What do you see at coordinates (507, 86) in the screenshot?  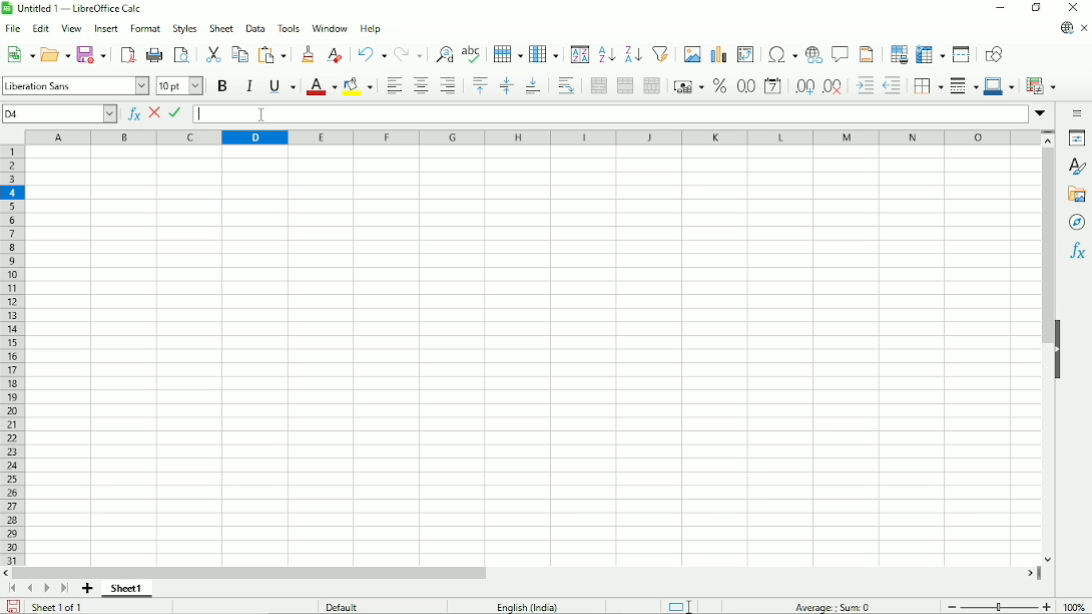 I see `Center vertically` at bounding box center [507, 86].